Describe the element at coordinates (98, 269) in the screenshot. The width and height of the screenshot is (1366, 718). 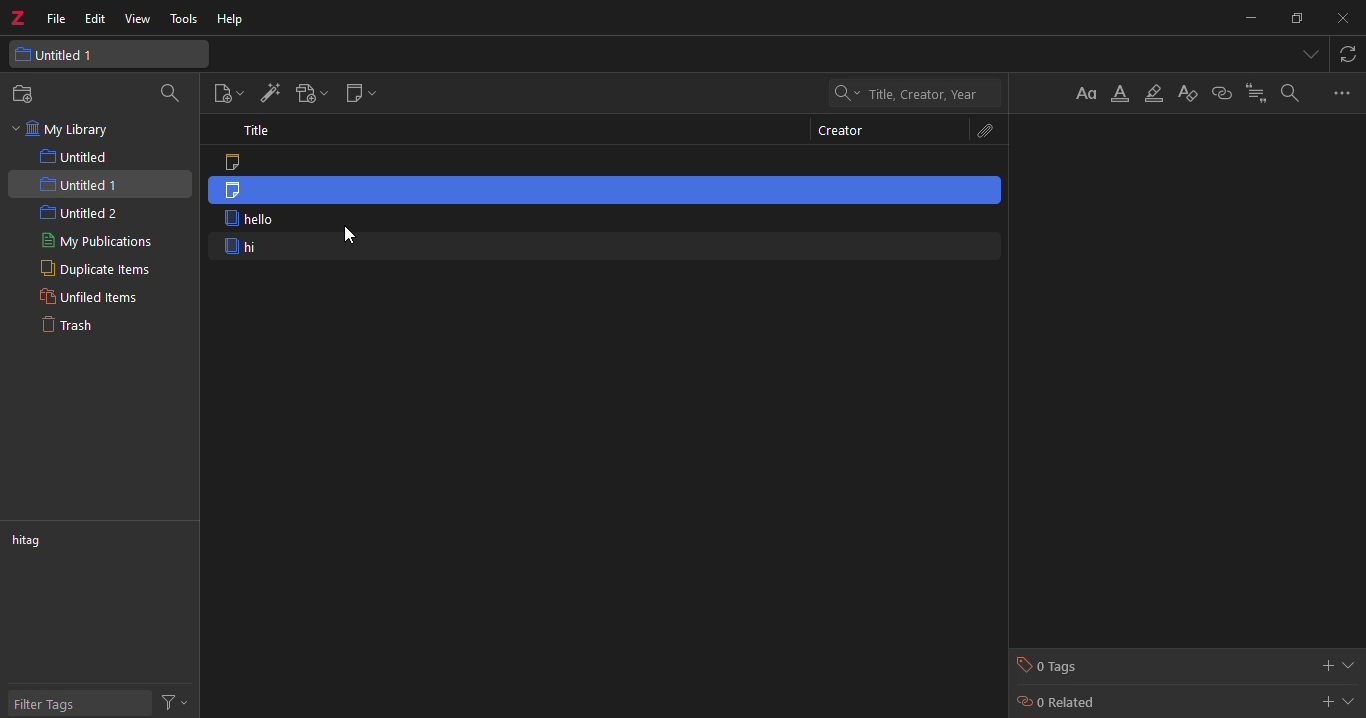
I see `duplicate items` at that location.